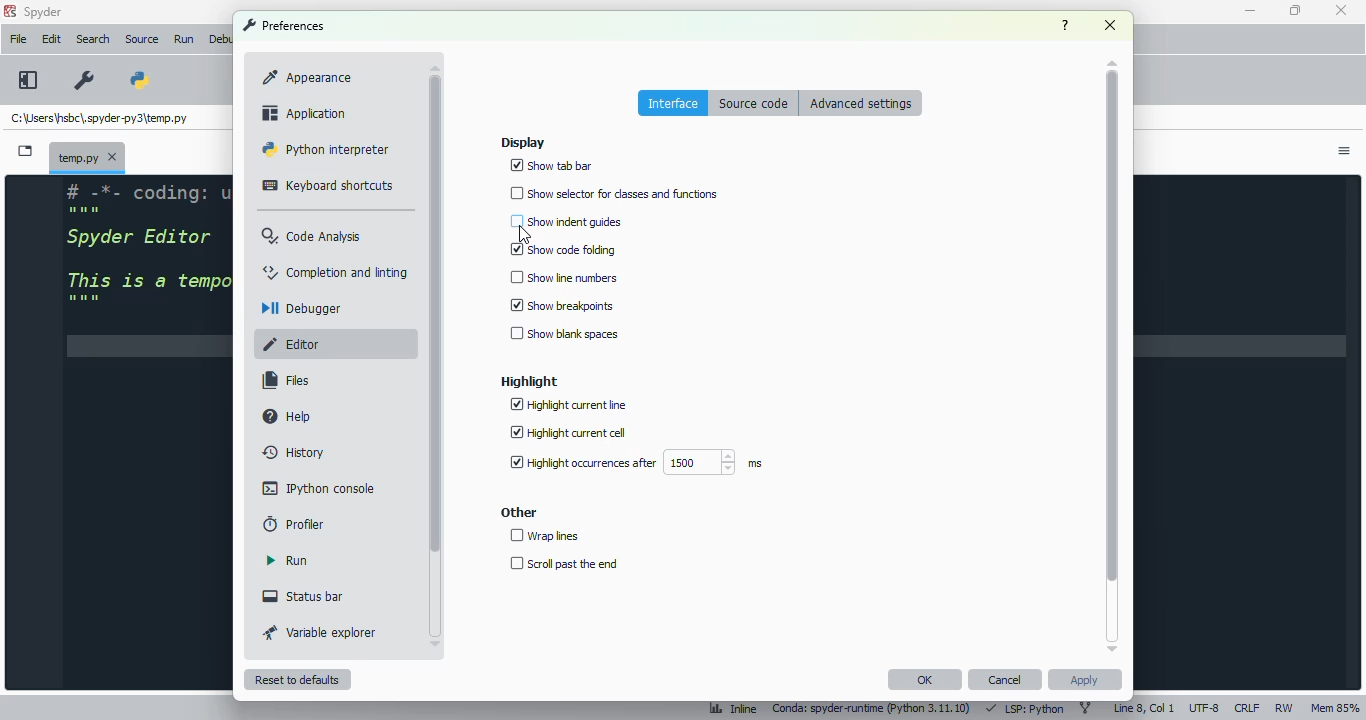 This screenshot has width=1366, height=720. Describe the element at coordinates (26, 151) in the screenshot. I see `browse tabs` at that location.